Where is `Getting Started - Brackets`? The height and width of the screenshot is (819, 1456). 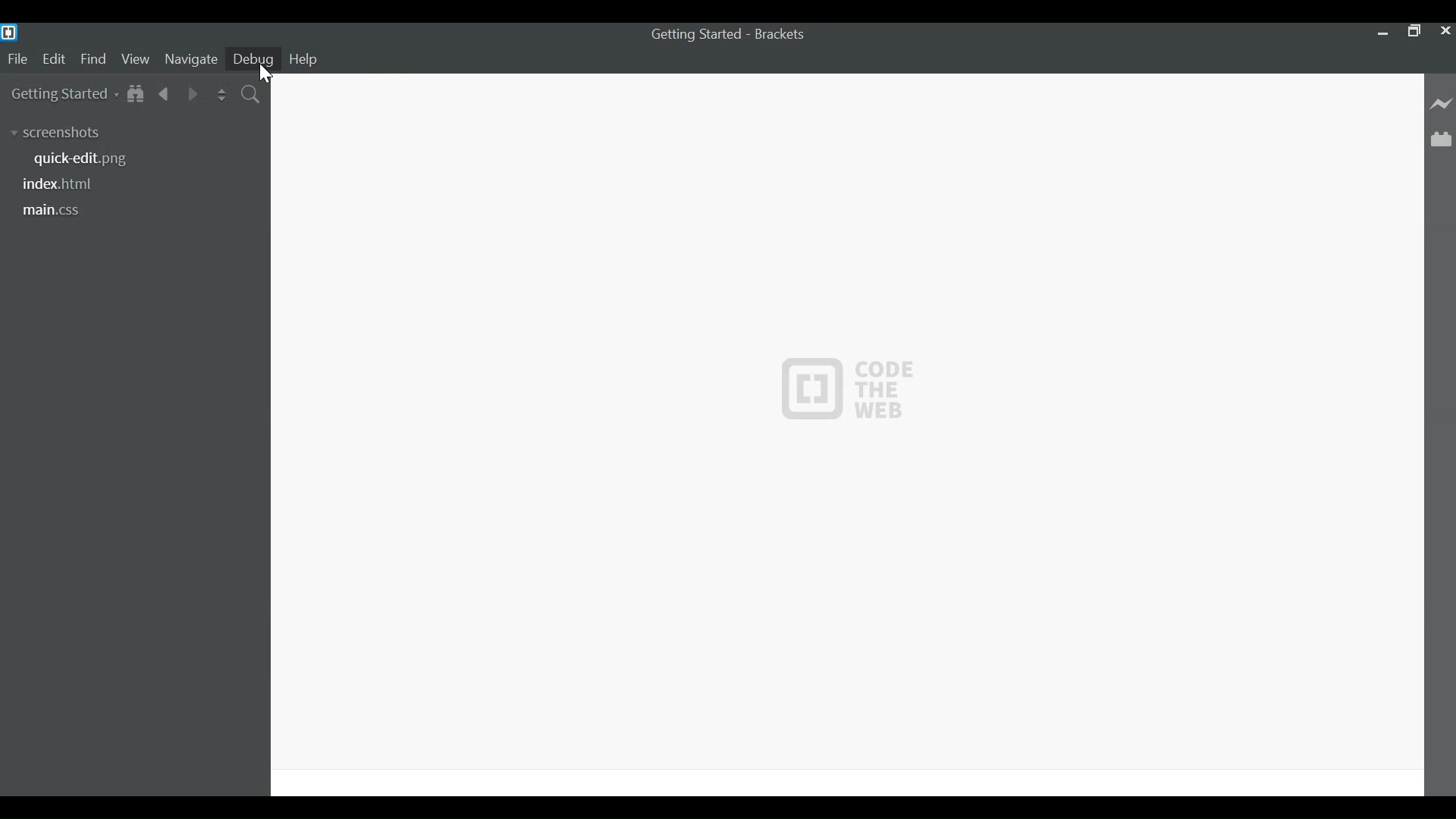
Getting Started - Brackets is located at coordinates (727, 36).